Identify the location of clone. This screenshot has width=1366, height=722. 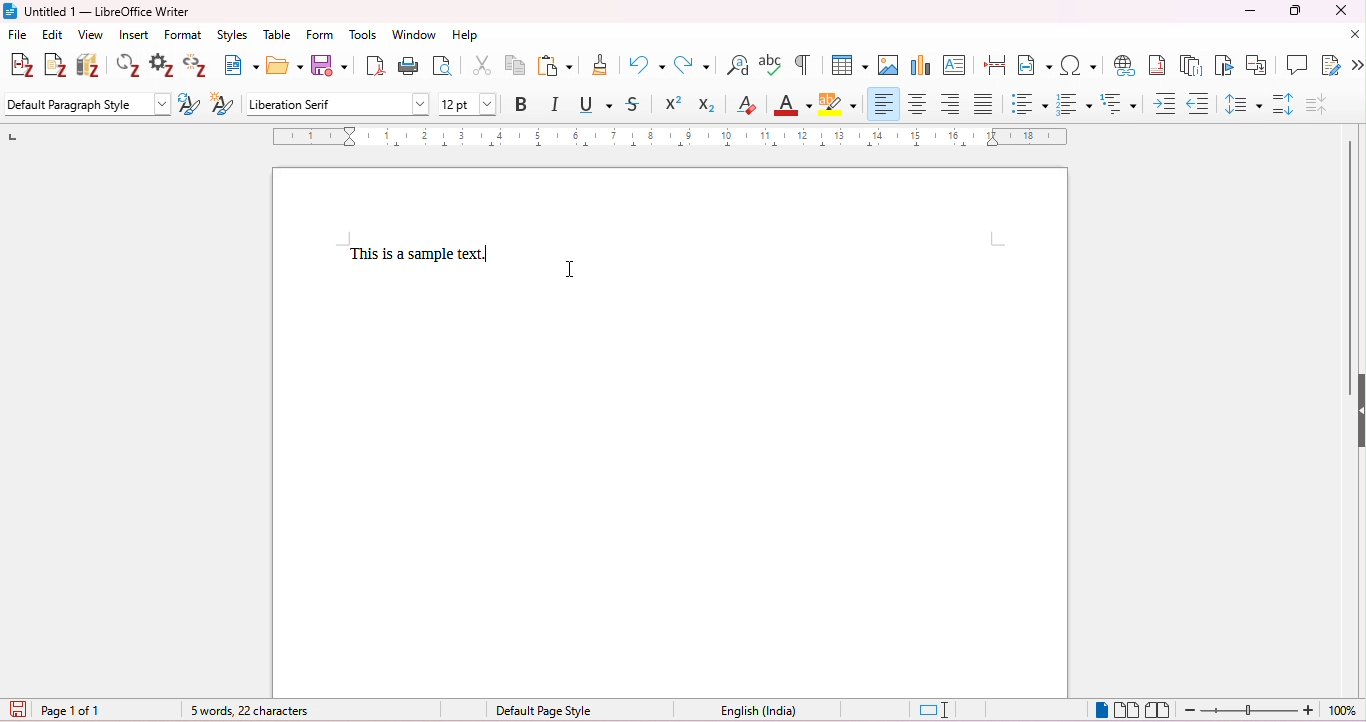
(602, 64).